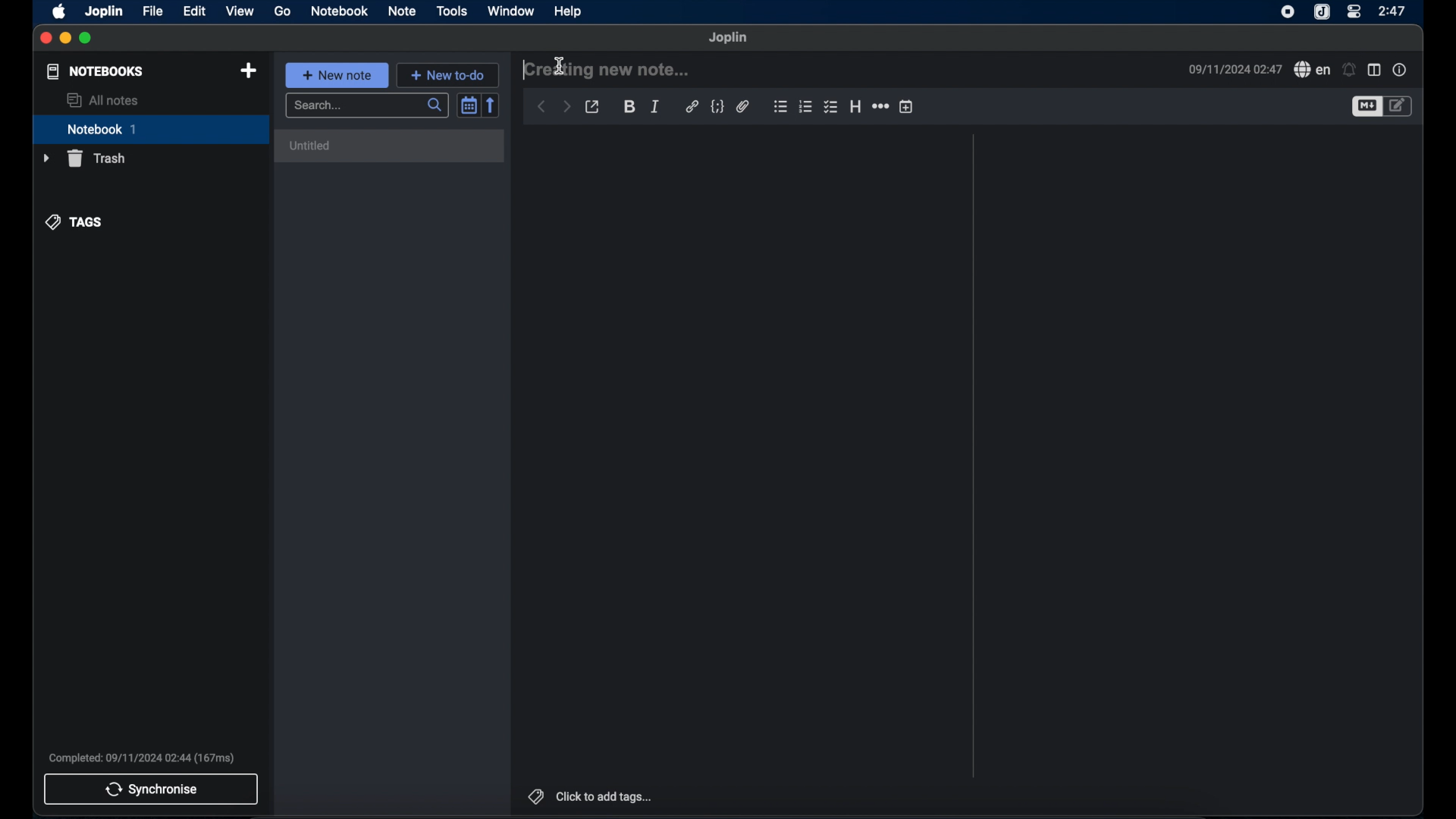 The image size is (1456, 819). I want to click on toggle editor layout, so click(1374, 71).